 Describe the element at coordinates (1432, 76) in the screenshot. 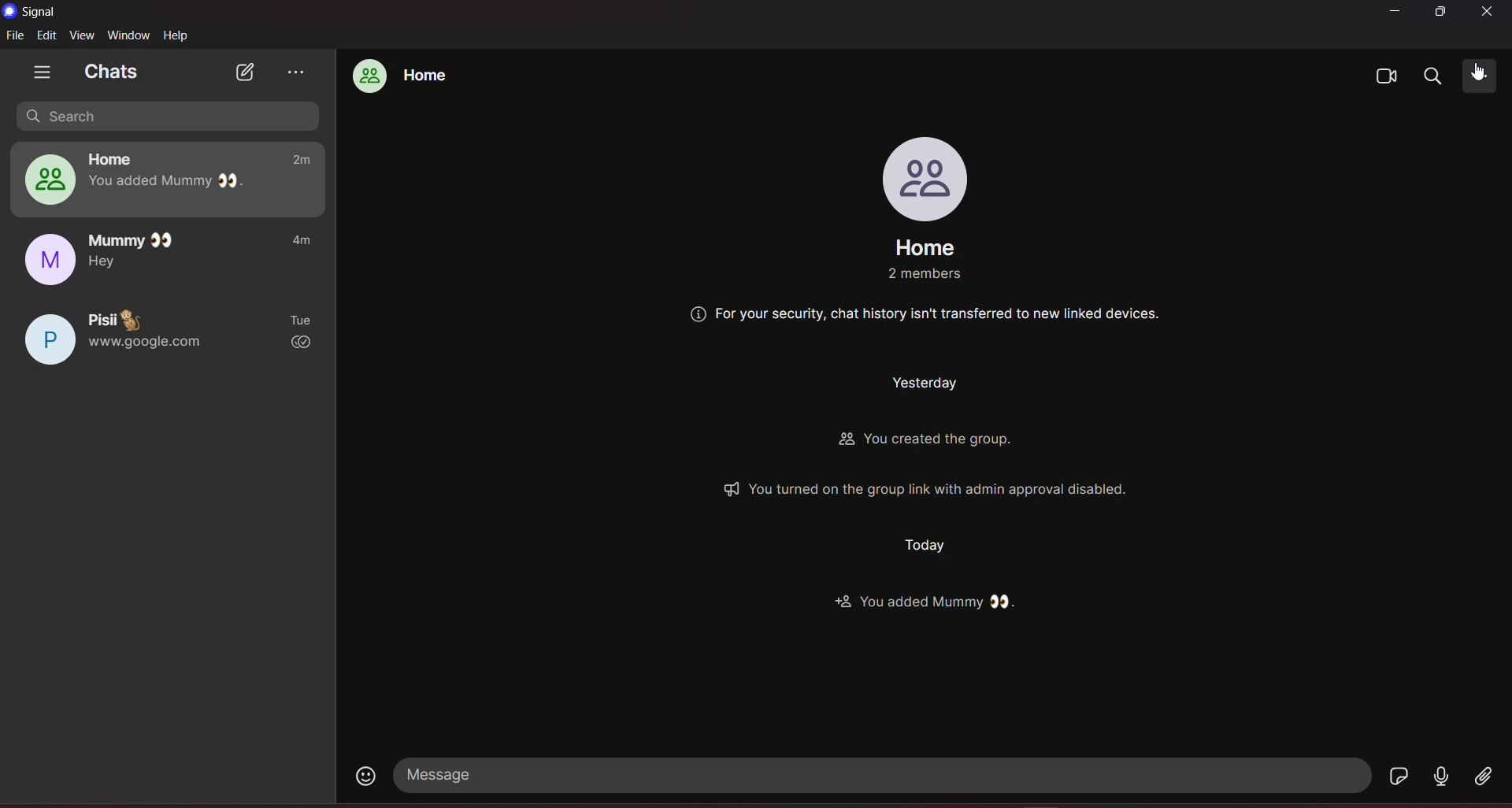

I see `search` at that location.